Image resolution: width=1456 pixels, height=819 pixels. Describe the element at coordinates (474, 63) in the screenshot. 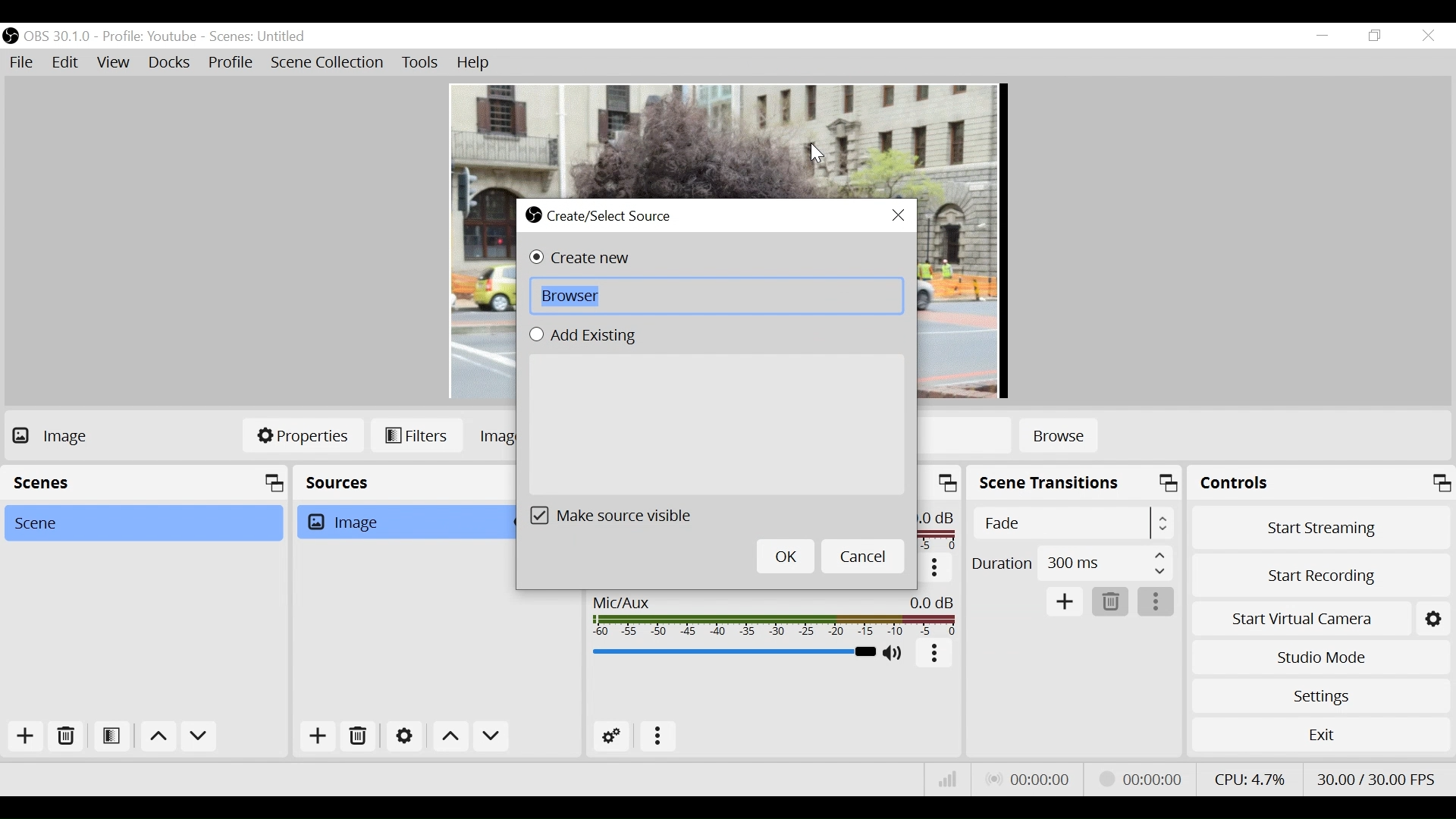

I see `Help` at that location.